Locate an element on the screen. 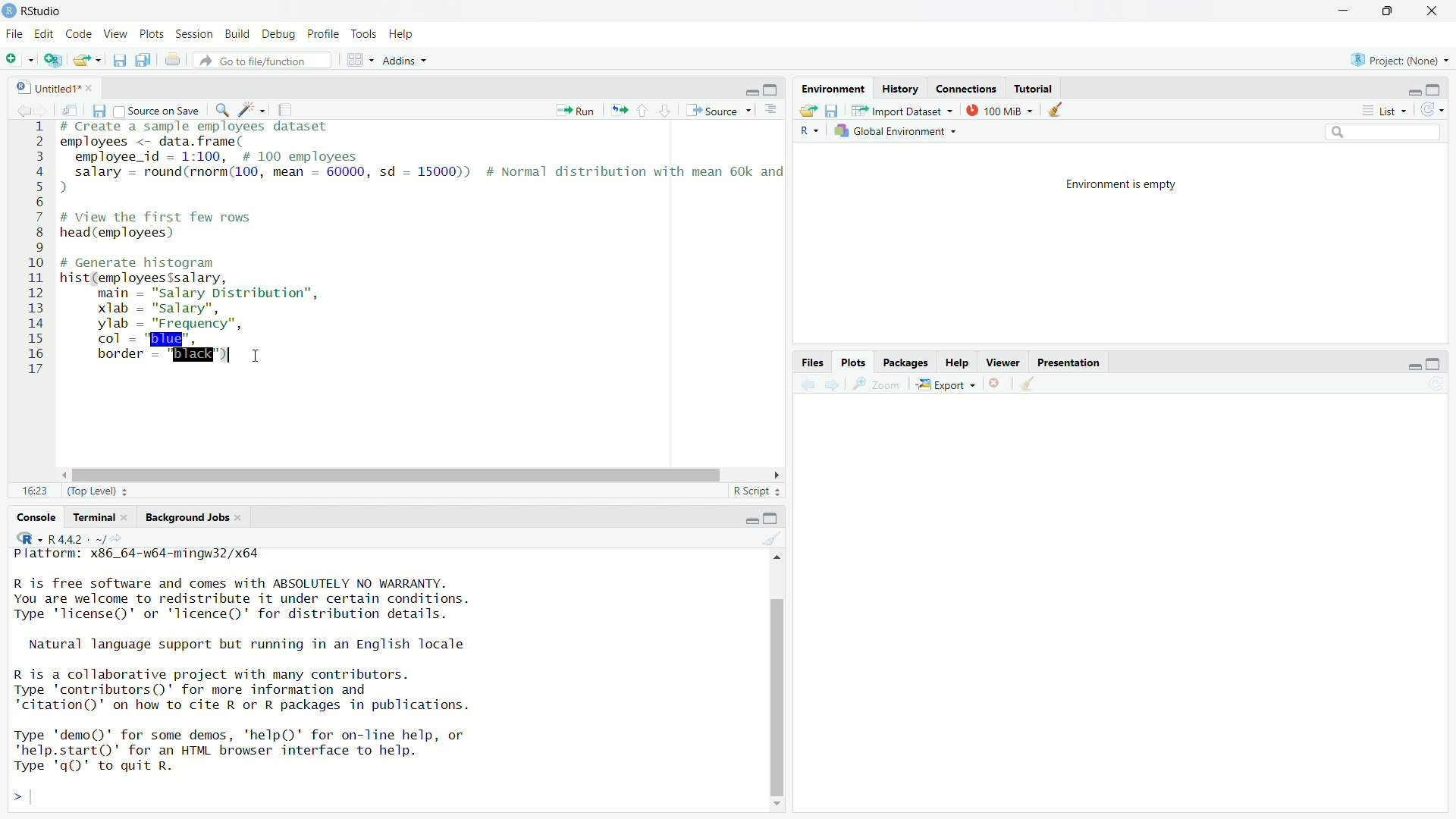 The image size is (1456, 819). close is located at coordinates (998, 383).